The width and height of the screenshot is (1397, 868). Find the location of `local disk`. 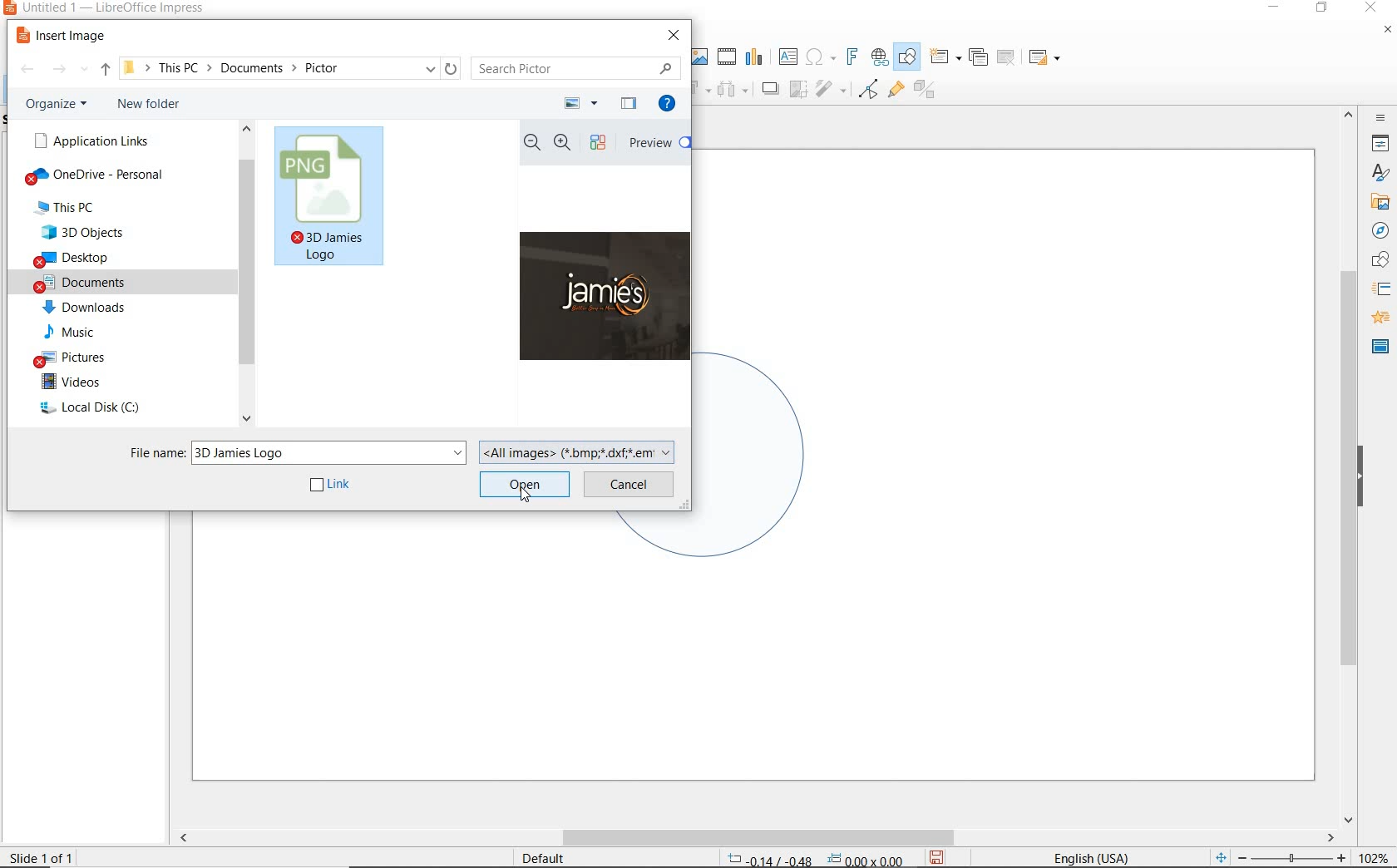

local disk is located at coordinates (96, 409).